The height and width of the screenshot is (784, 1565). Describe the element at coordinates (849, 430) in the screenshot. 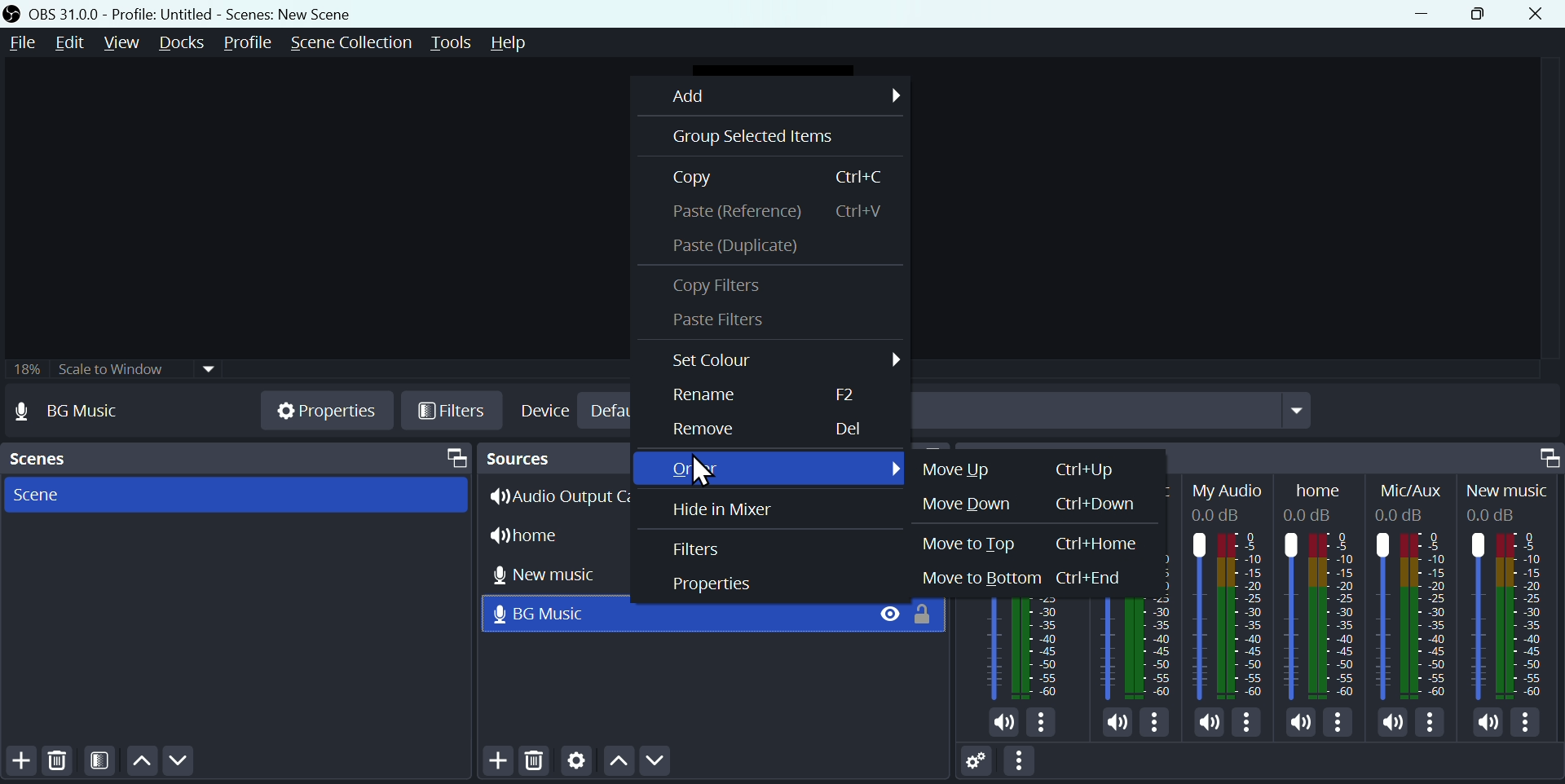

I see `Del` at that location.